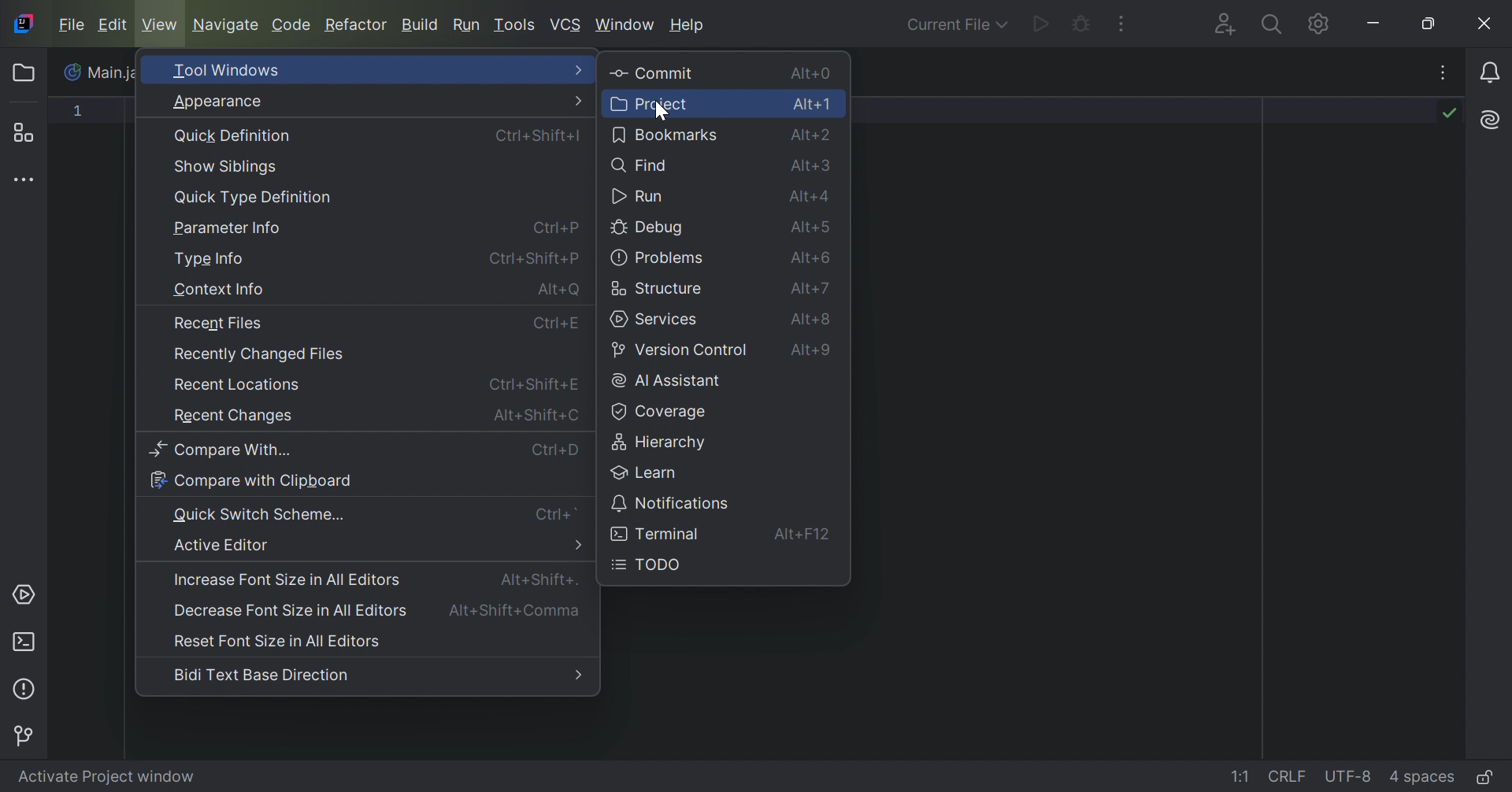  Describe the element at coordinates (954, 25) in the screenshot. I see `Current File` at that location.